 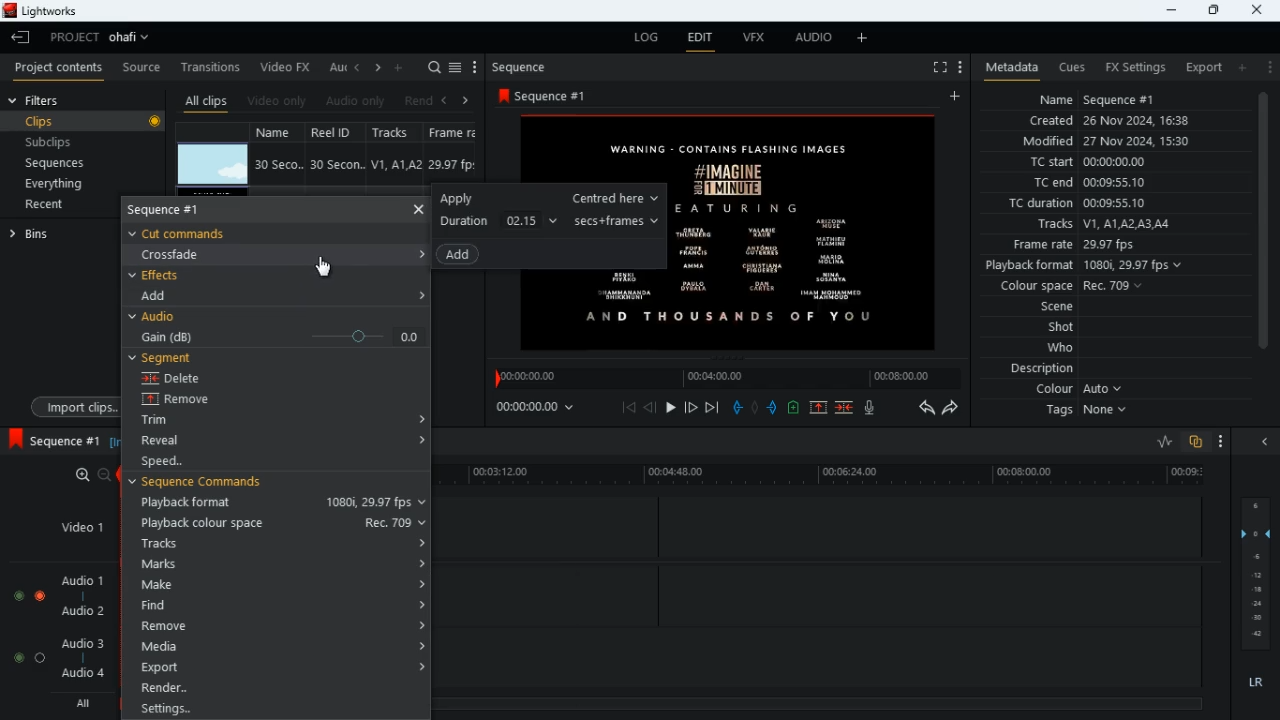 I want to click on cues, so click(x=1072, y=67).